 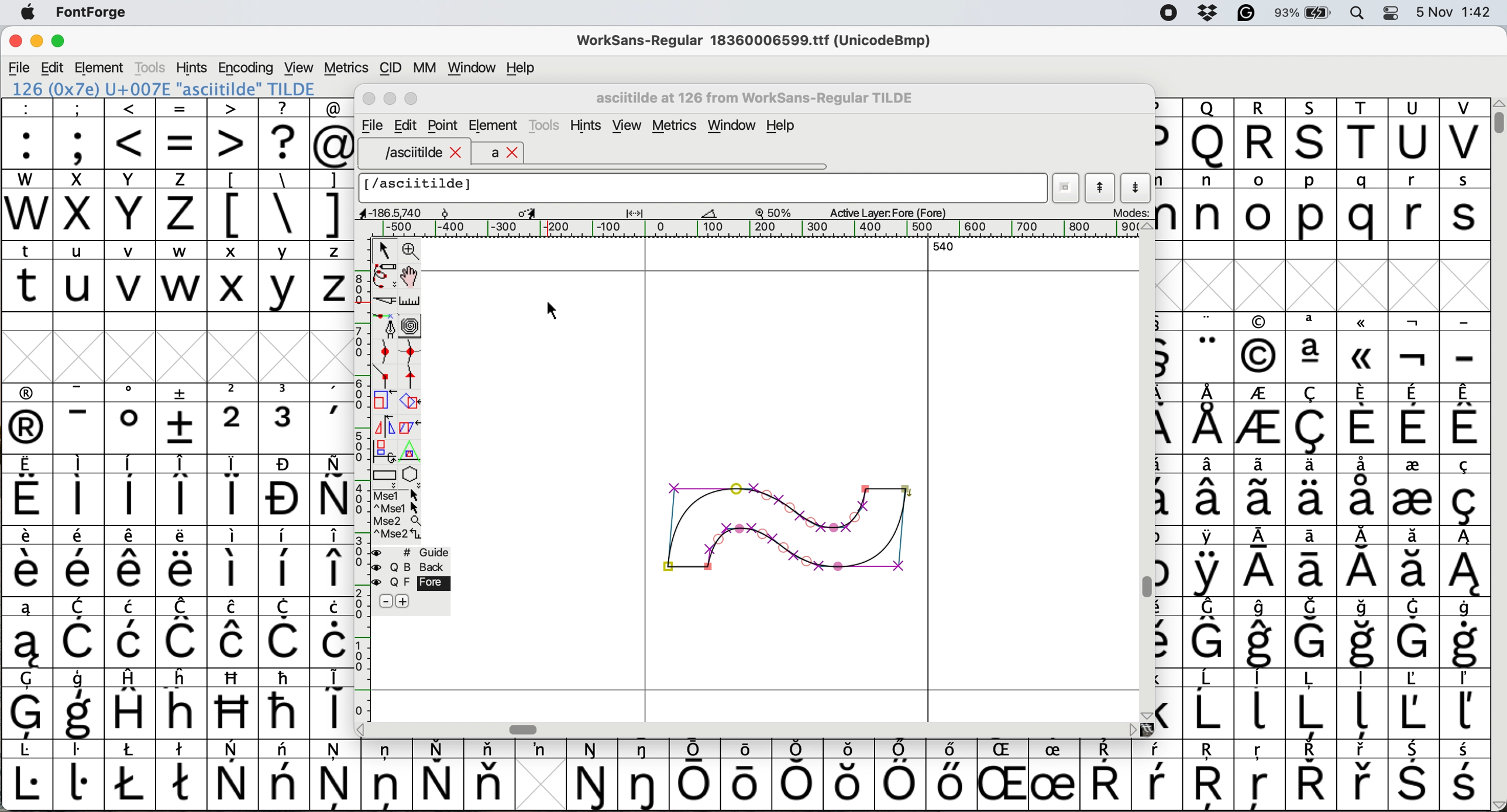 What do you see at coordinates (1414, 632) in the screenshot?
I see `symbol` at bounding box center [1414, 632].